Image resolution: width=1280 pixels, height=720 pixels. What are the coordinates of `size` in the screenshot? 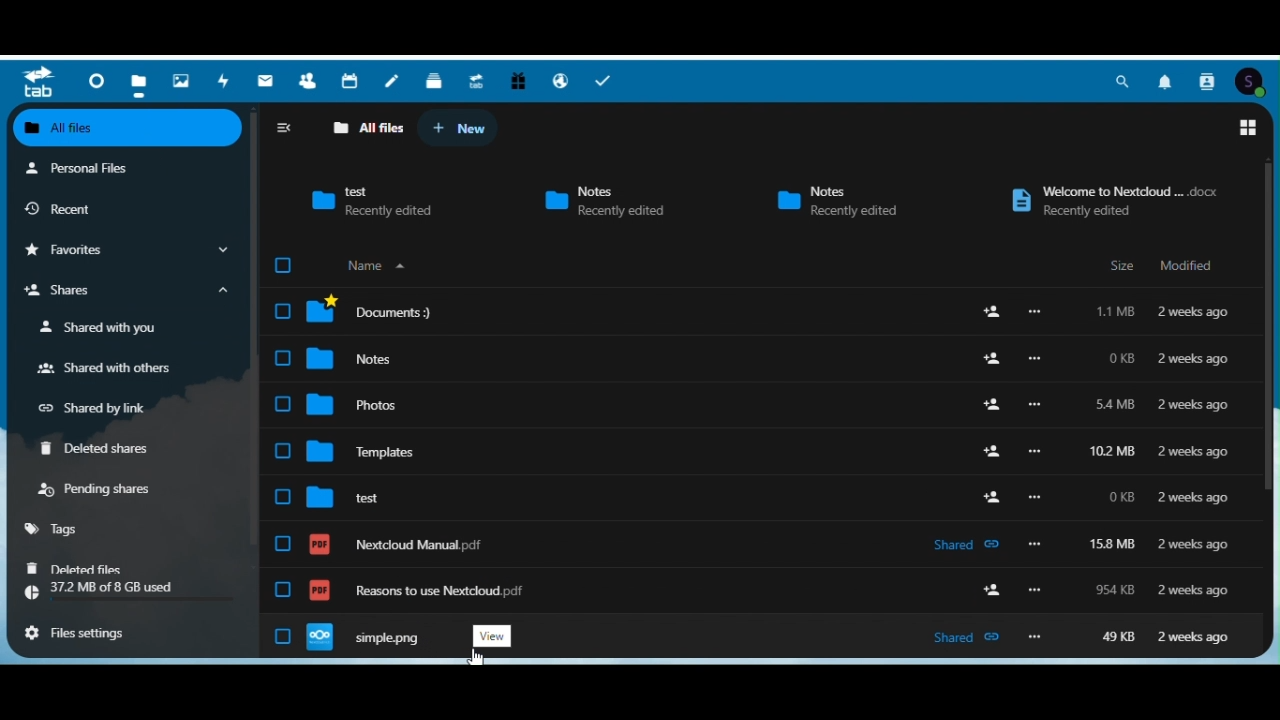 It's located at (1119, 358).